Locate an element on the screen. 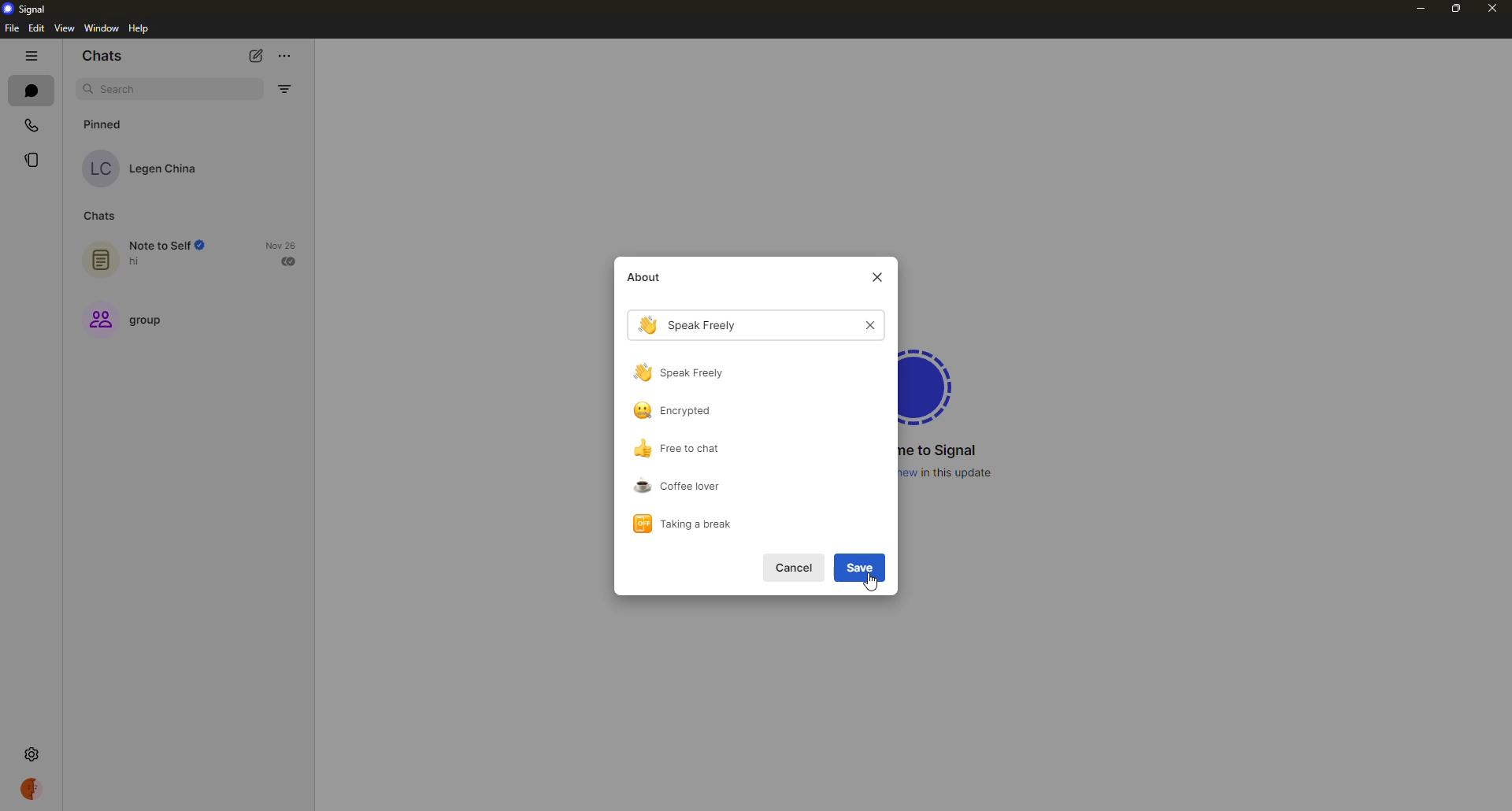  settings is located at coordinates (31, 753).